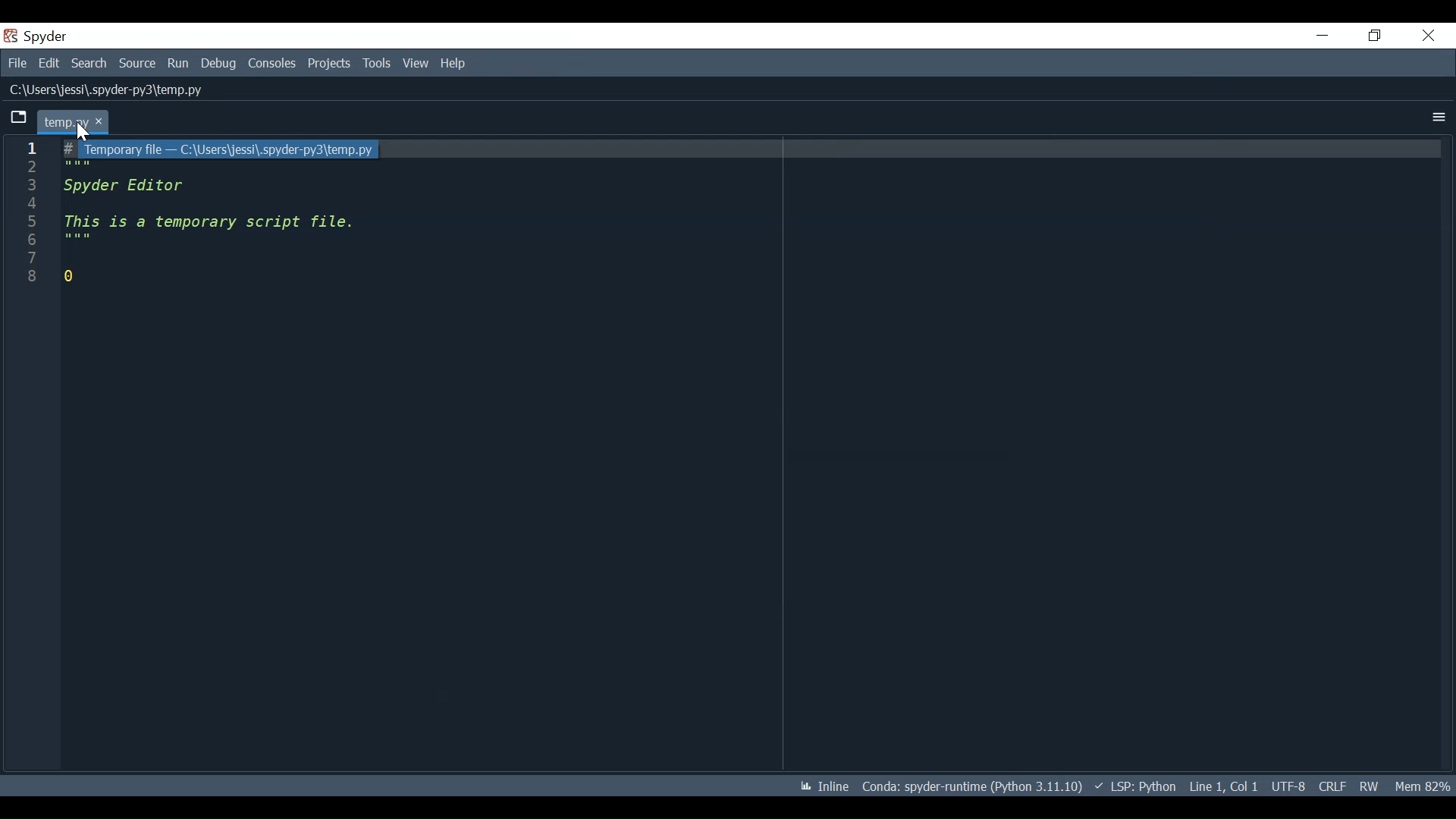  What do you see at coordinates (726, 452) in the screenshot?
I see `1 He SCT IVAN TIDY
5 wan
3 Spyder Editor
4
=) This is a temporary script file.
5 wen
7
8 0` at bounding box center [726, 452].